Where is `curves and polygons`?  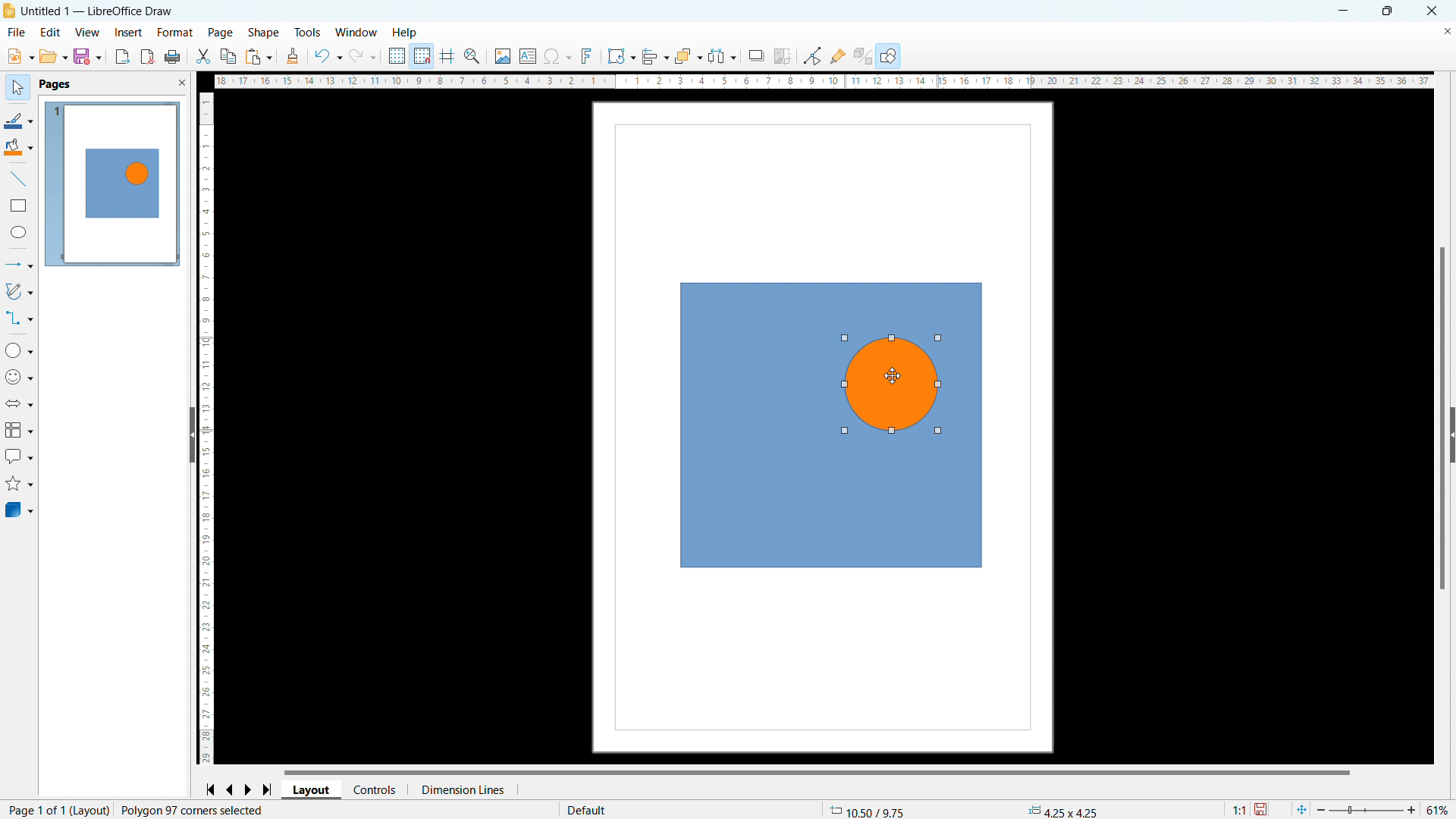
curves and polygons is located at coordinates (19, 291).